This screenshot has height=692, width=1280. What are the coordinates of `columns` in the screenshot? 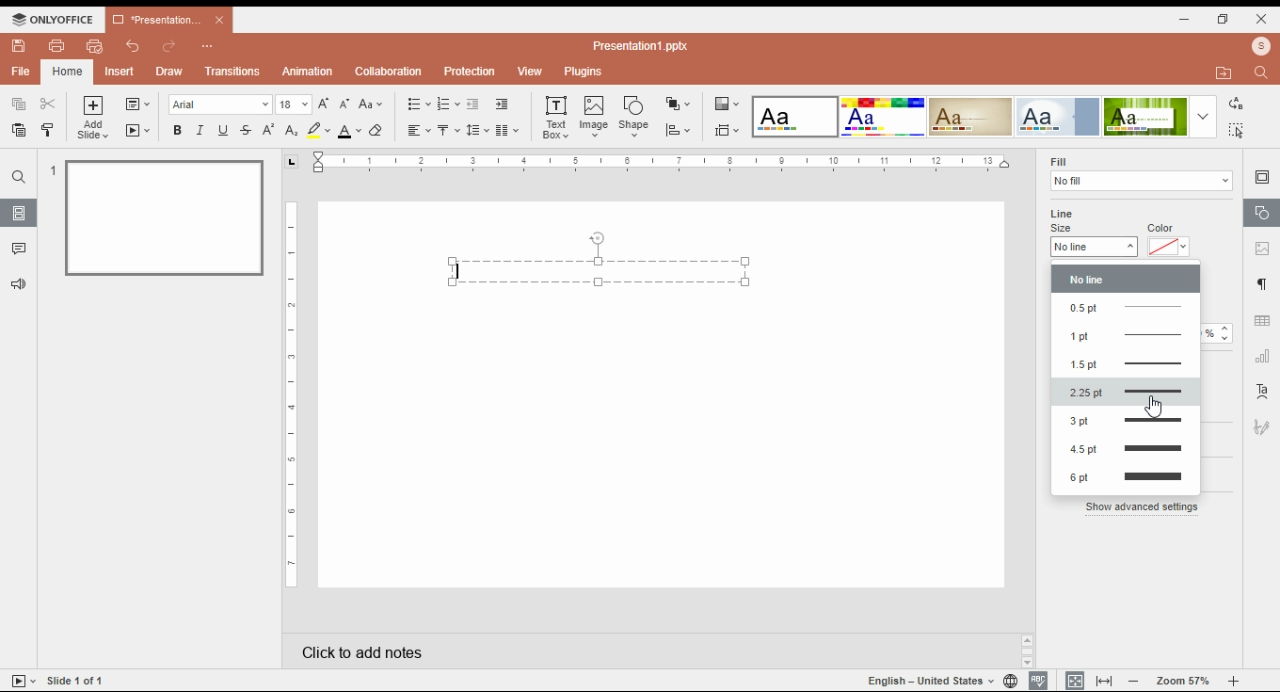 It's located at (509, 130).